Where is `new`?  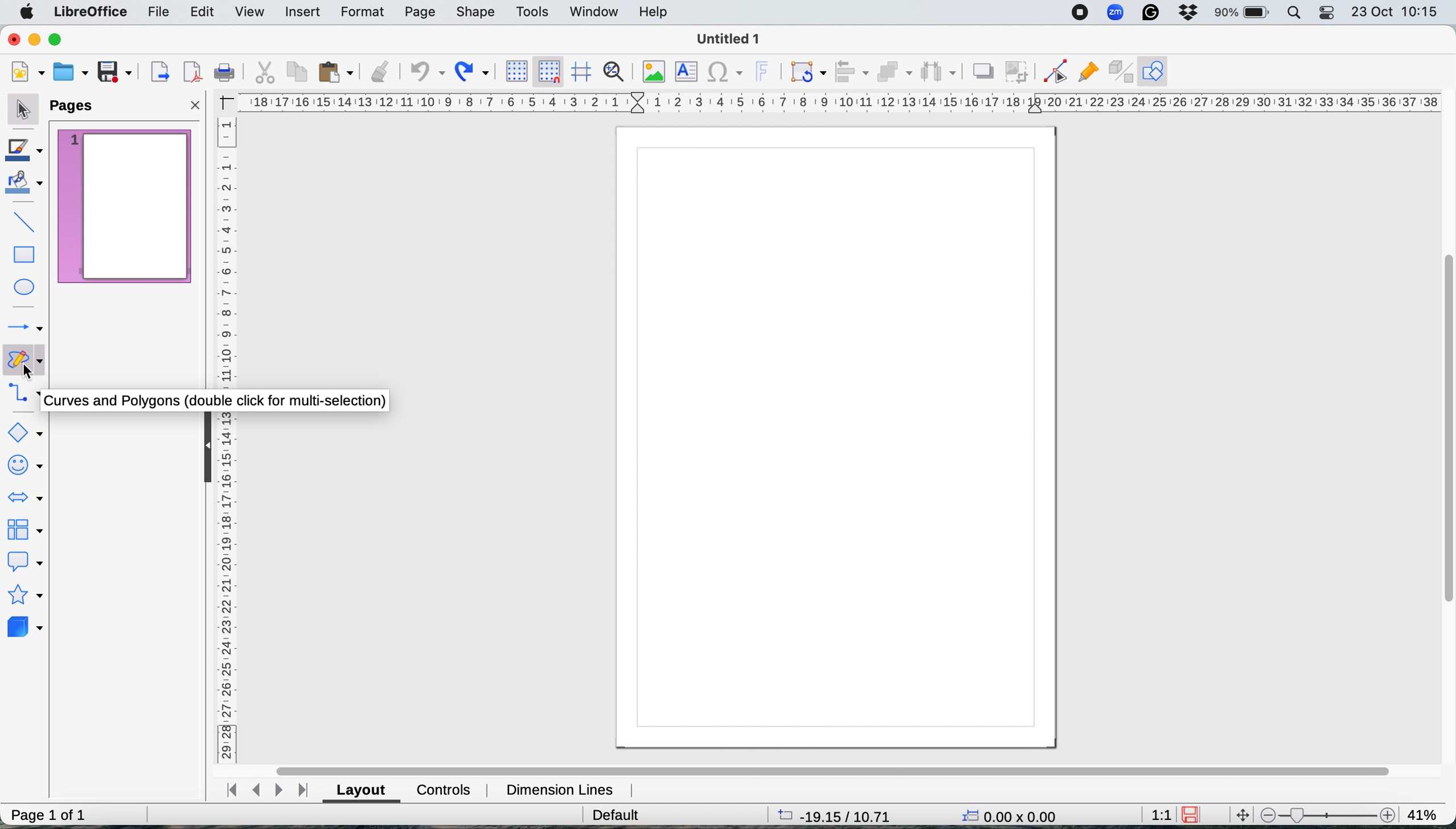
new is located at coordinates (27, 71).